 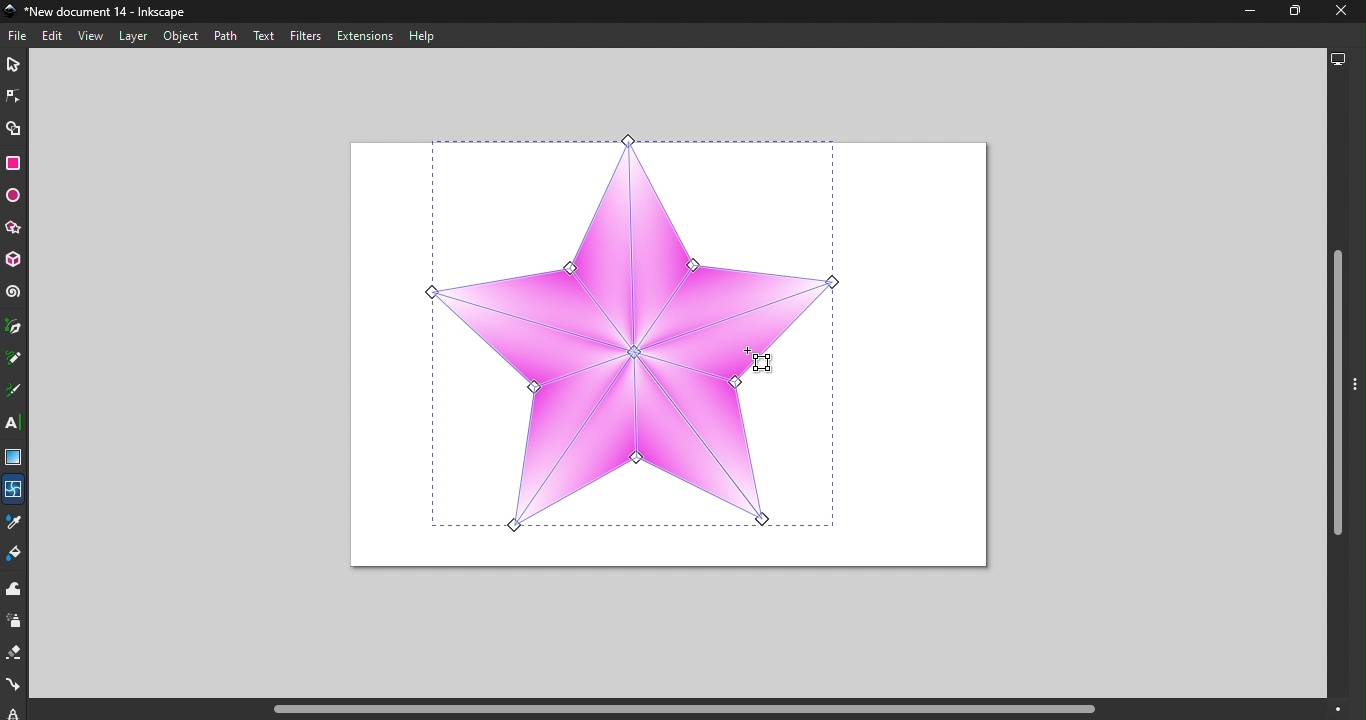 What do you see at coordinates (227, 35) in the screenshot?
I see `Path` at bounding box center [227, 35].